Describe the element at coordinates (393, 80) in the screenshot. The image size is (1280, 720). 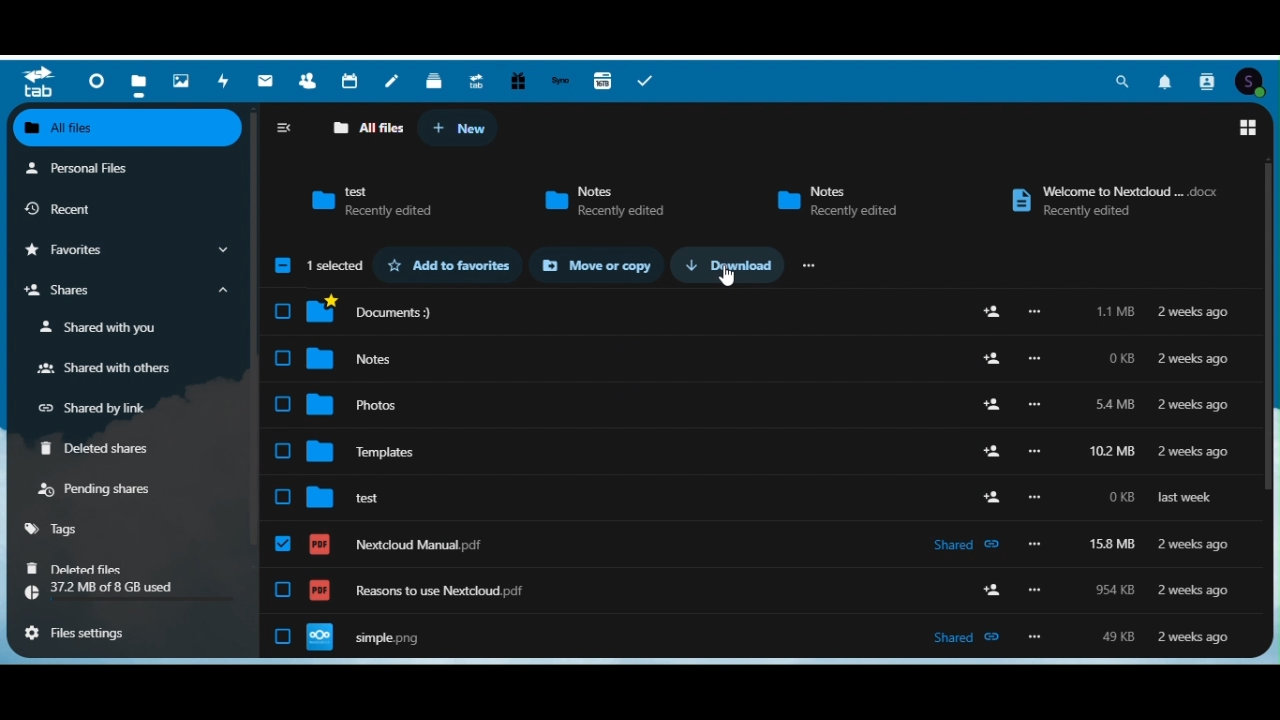
I see `Notes` at that location.